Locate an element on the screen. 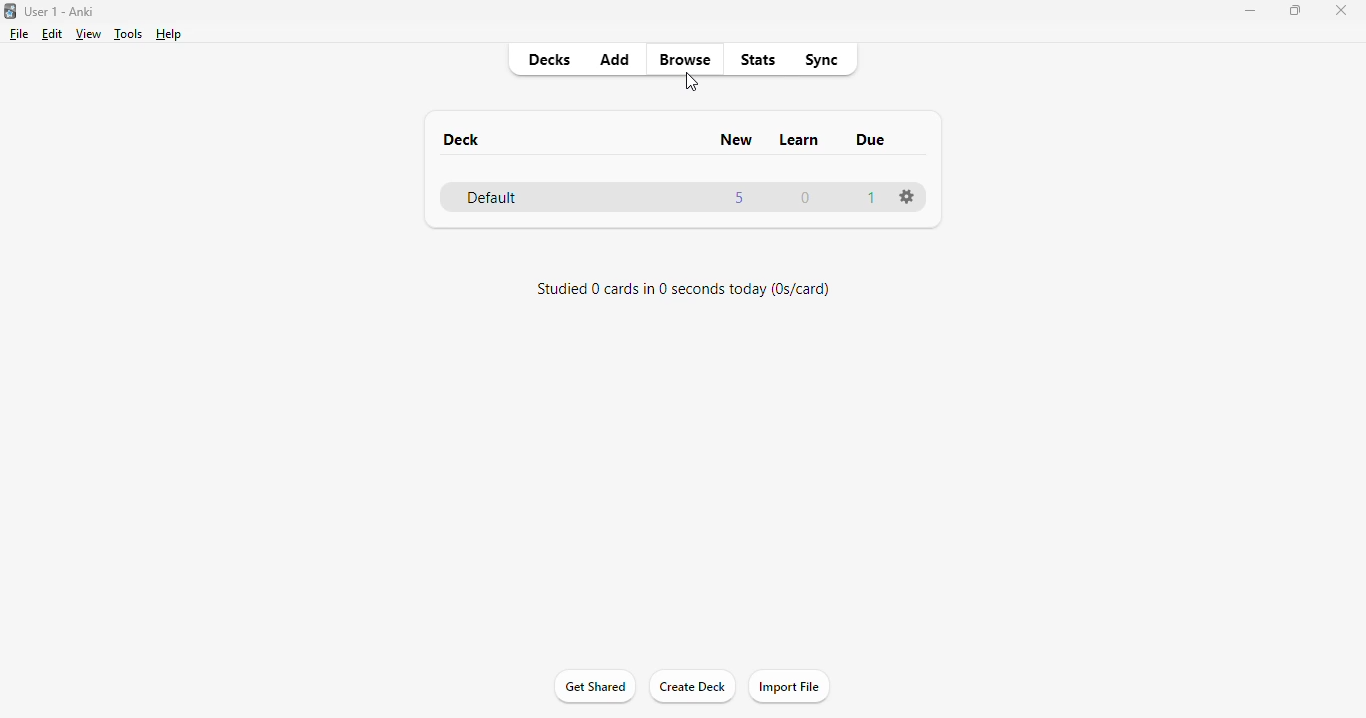  tools is located at coordinates (127, 35).